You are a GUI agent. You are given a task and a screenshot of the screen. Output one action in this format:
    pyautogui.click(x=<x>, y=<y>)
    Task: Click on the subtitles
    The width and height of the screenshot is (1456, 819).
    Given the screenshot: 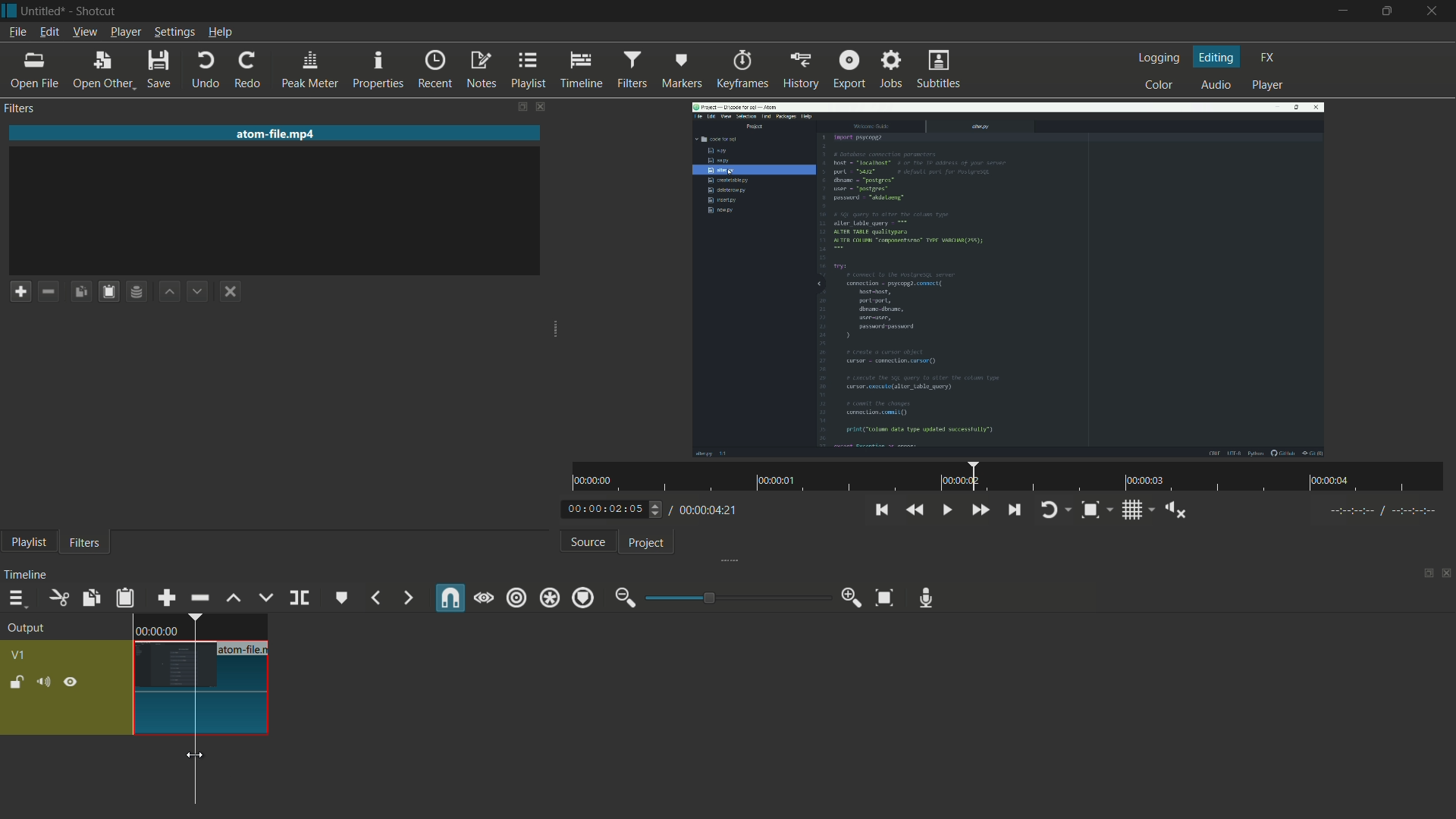 What is the action you would take?
    pyautogui.click(x=939, y=69)
    